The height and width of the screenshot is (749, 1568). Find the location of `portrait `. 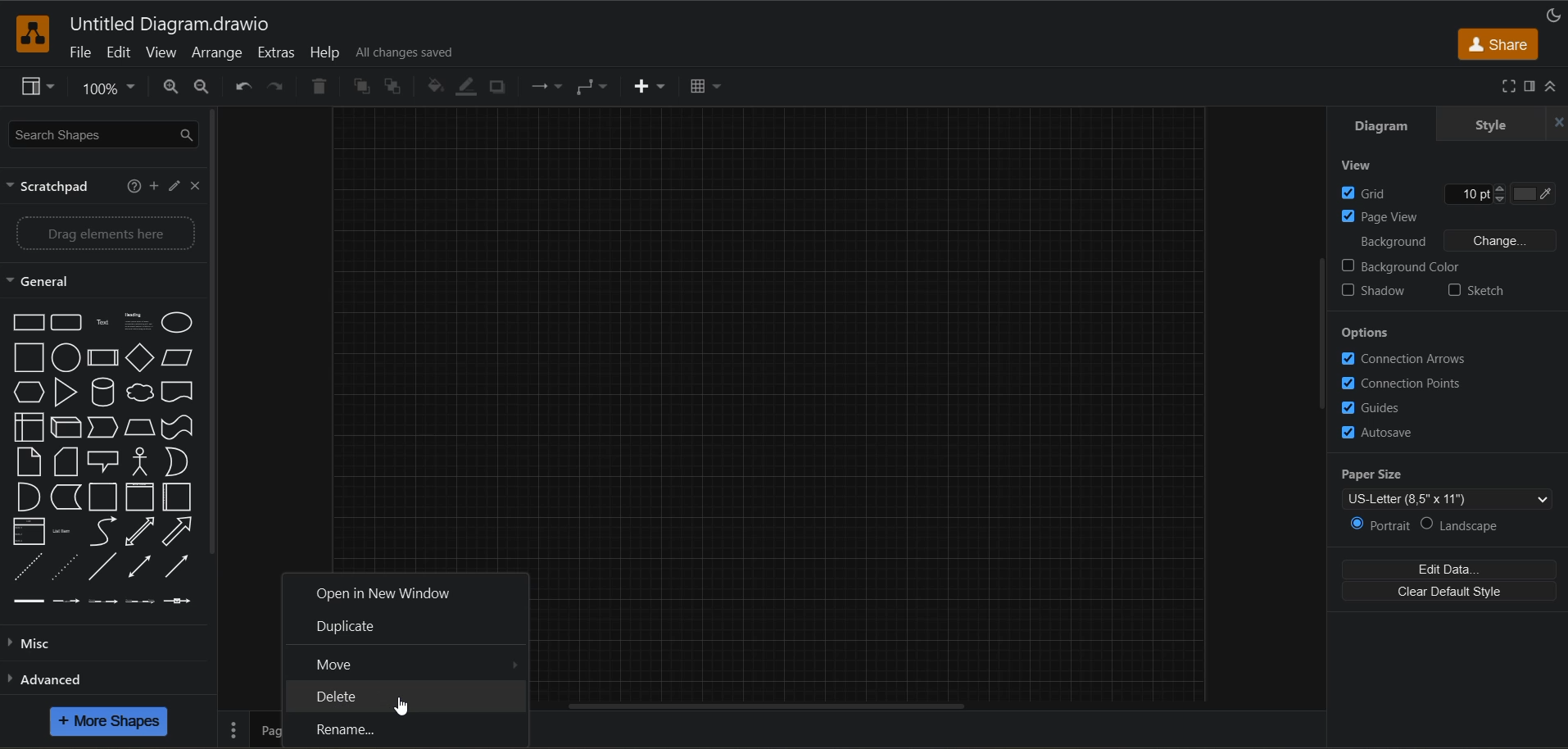

portrait  is located at coordinates (1381, 525).